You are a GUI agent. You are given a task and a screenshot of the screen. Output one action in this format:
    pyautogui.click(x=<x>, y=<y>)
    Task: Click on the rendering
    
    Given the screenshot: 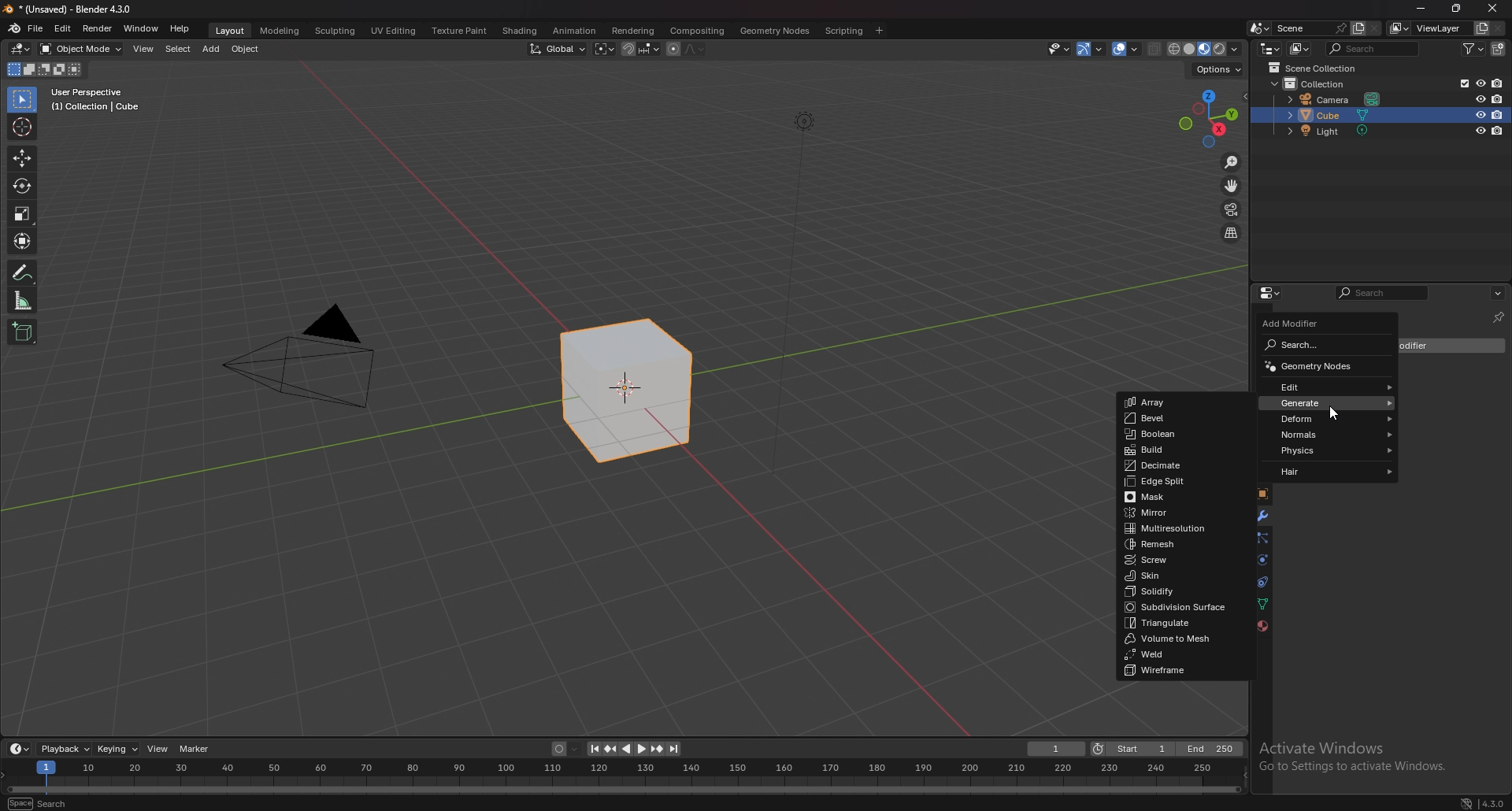 What is the action you would take?
    pyautogui.click(x=633, y=31)
    